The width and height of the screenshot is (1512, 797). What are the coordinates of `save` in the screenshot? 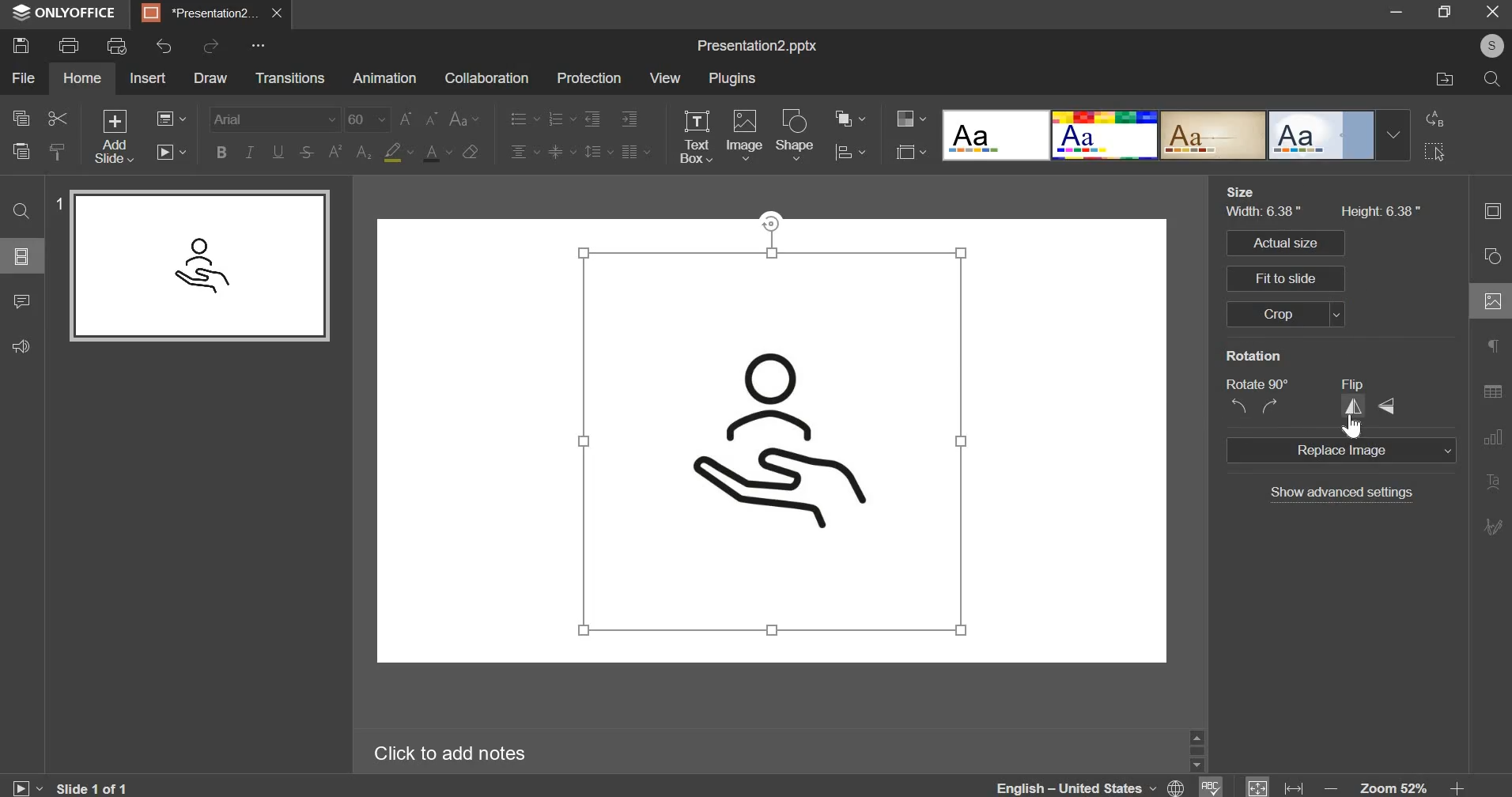 It's located at (21, 44).